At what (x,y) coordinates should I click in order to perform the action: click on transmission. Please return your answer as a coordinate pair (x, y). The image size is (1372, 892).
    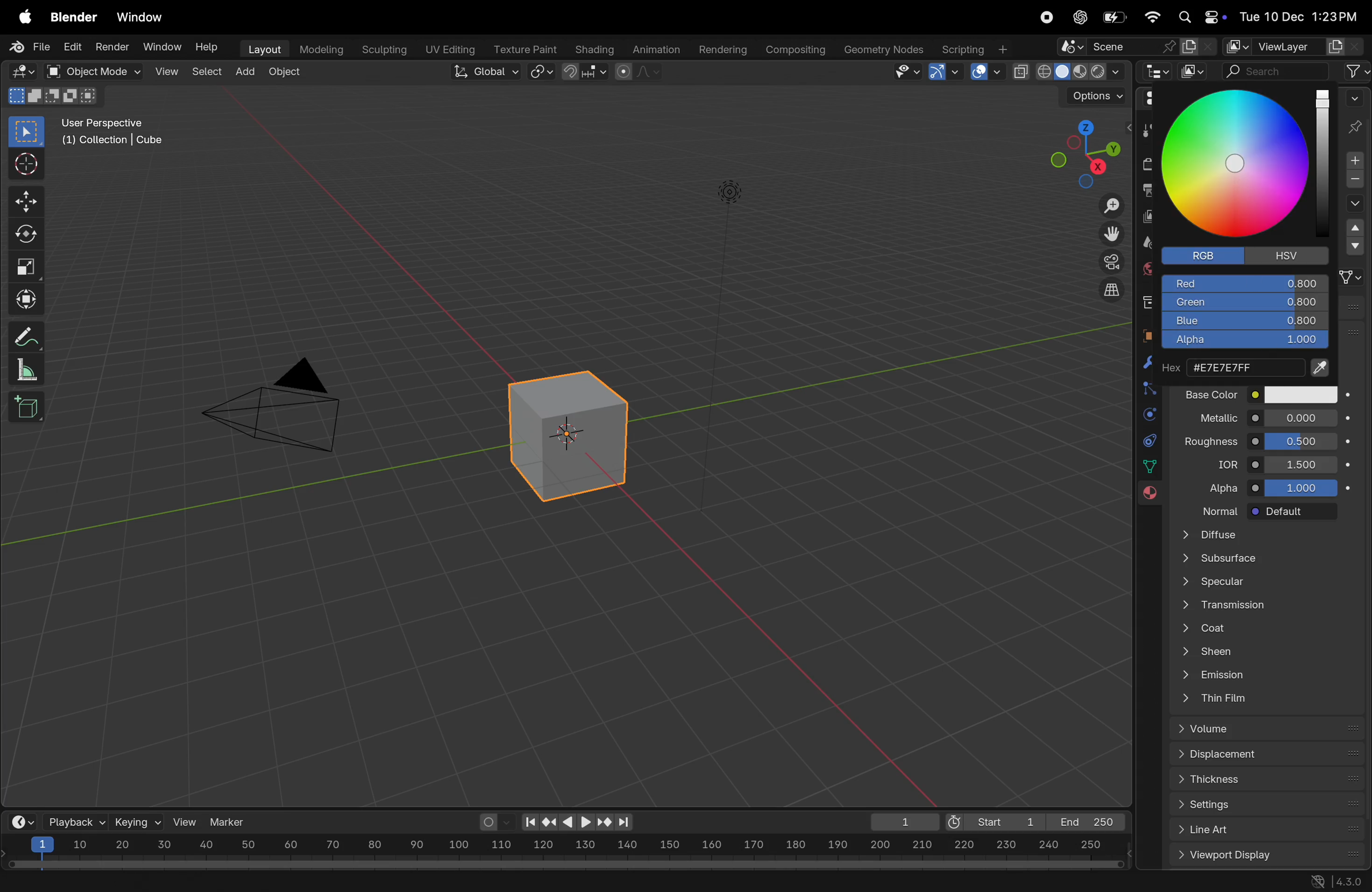
    Looking at the image, I should click on (1265, 604).